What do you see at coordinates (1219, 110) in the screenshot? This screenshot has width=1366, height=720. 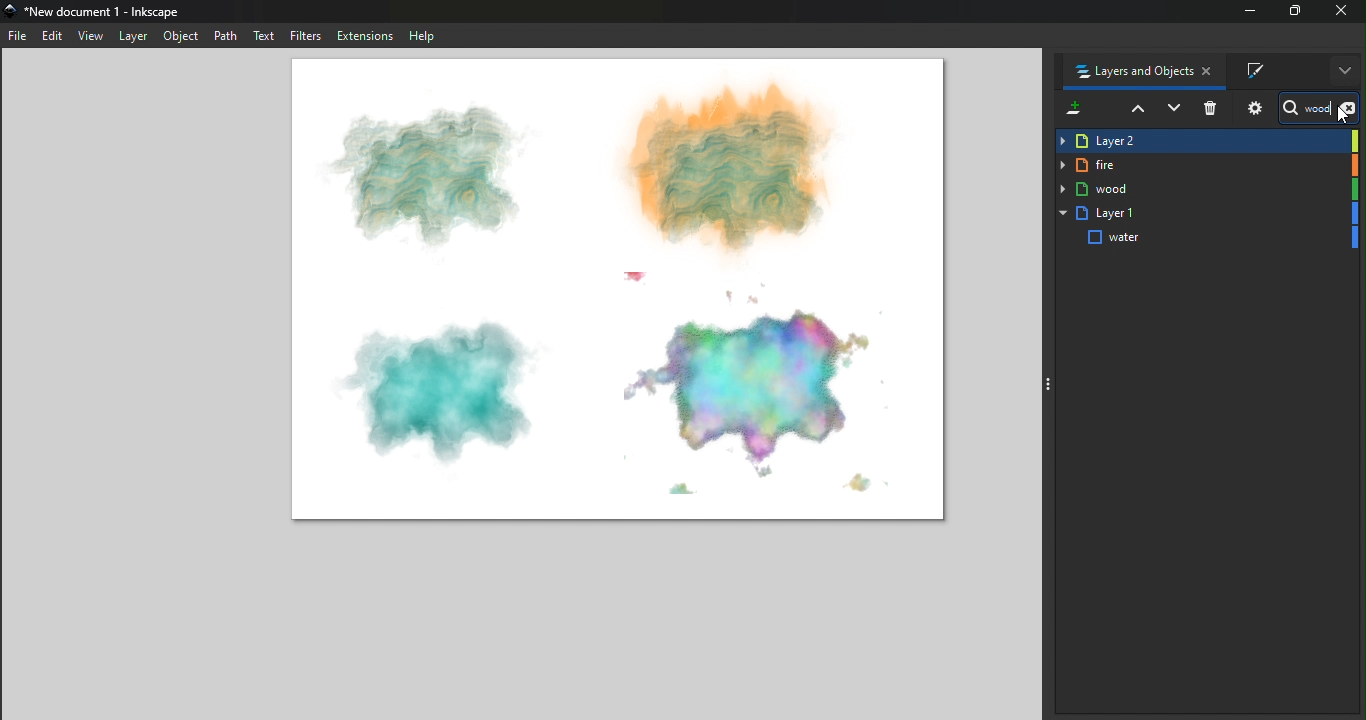 I see `Delete selected item` at bounding box center [1219, 110].